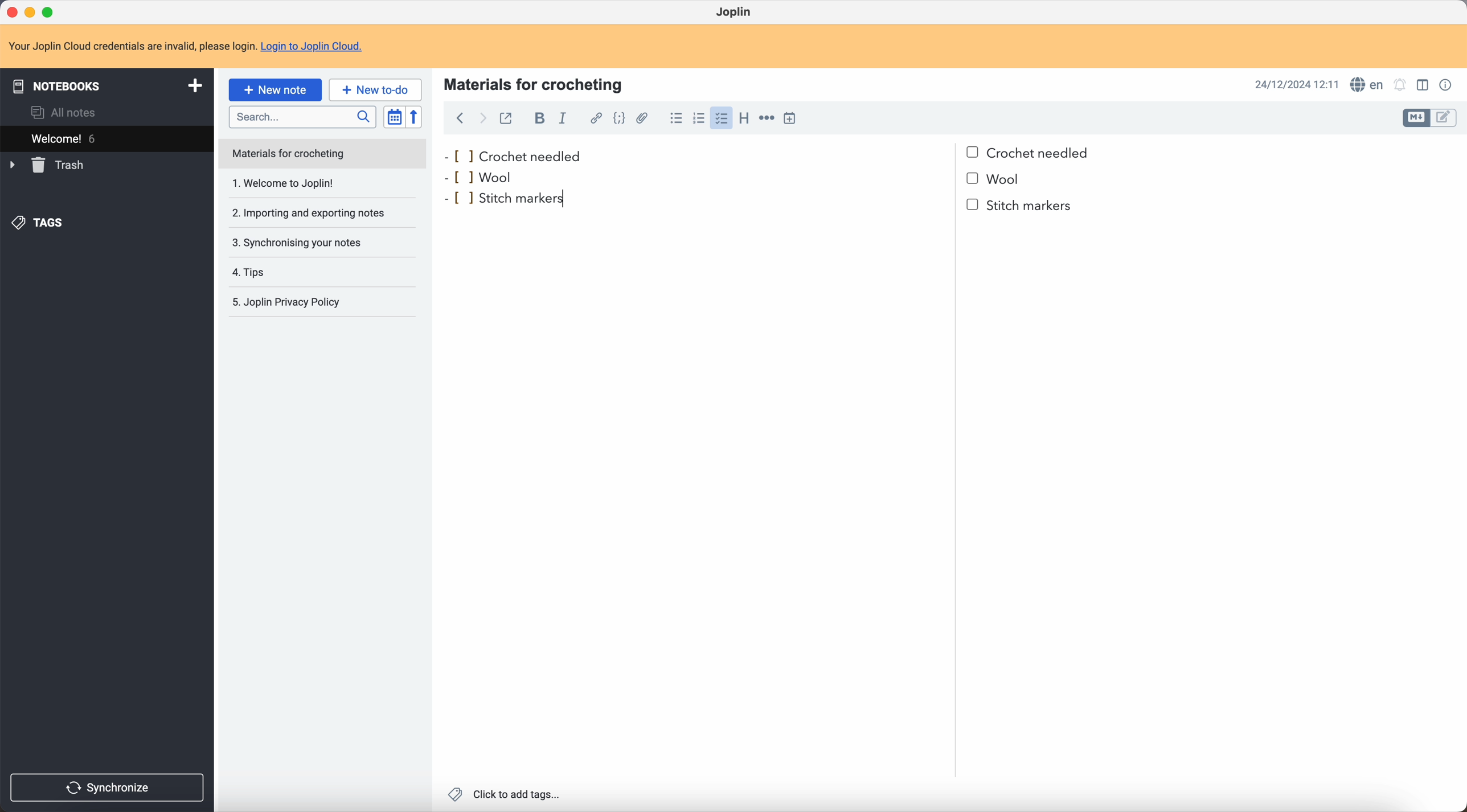 The height and width of the screenshot is (812, 1467). I want to click on close, so click(14, 12).